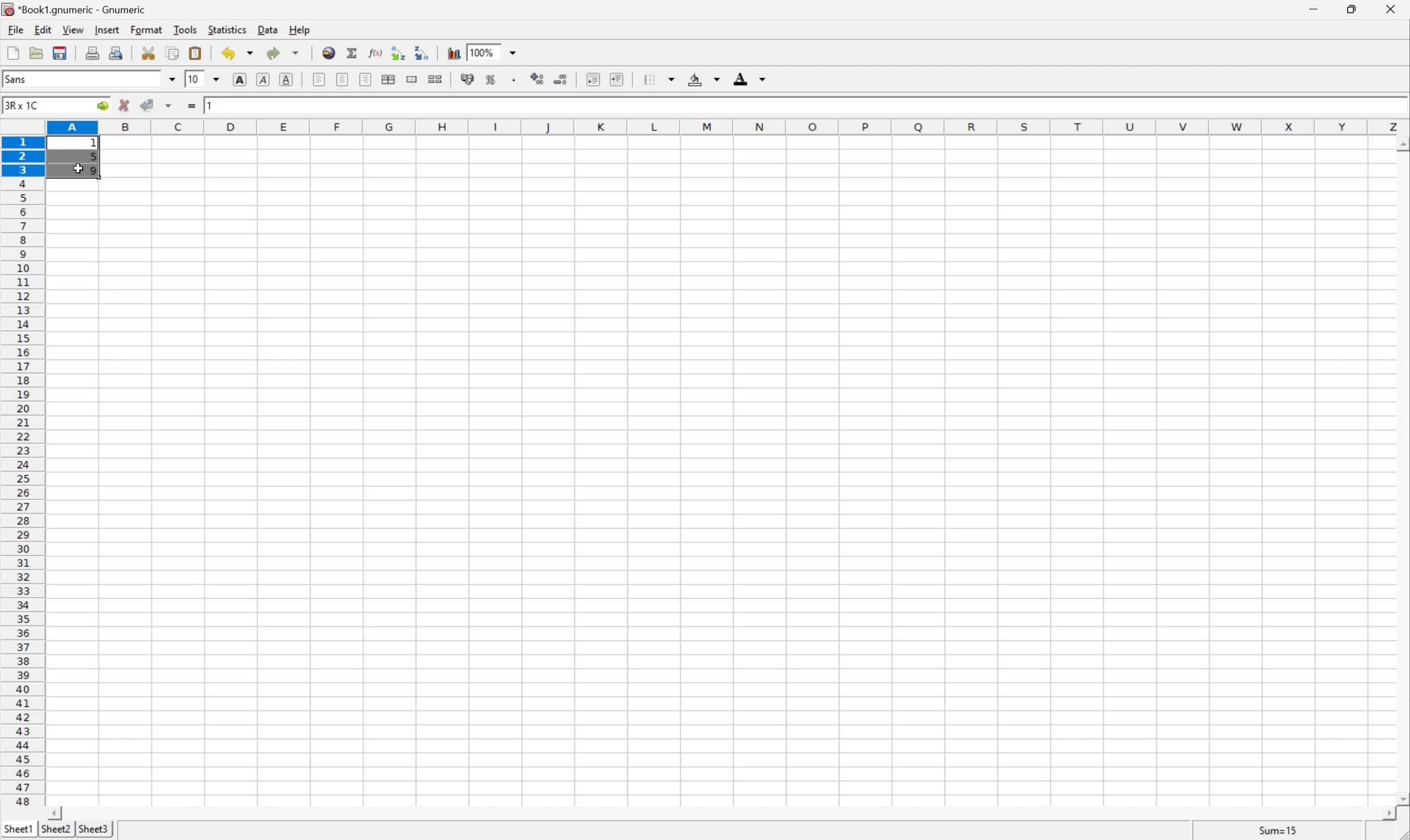  Describe the element at coordinates (95, 172) in the screenshot. I see `9` at that location.